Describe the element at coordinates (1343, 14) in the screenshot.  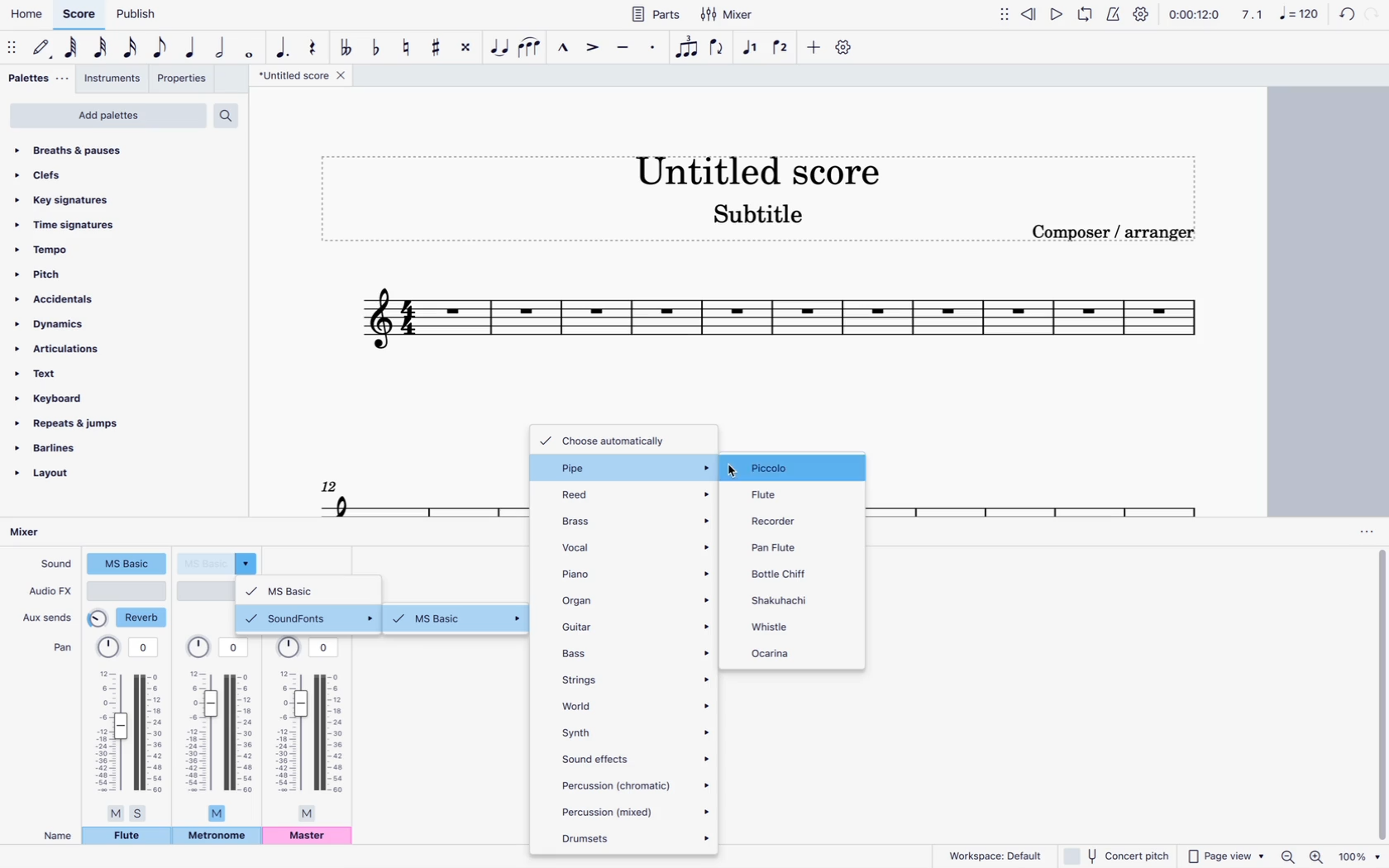
I see `back` at that location.